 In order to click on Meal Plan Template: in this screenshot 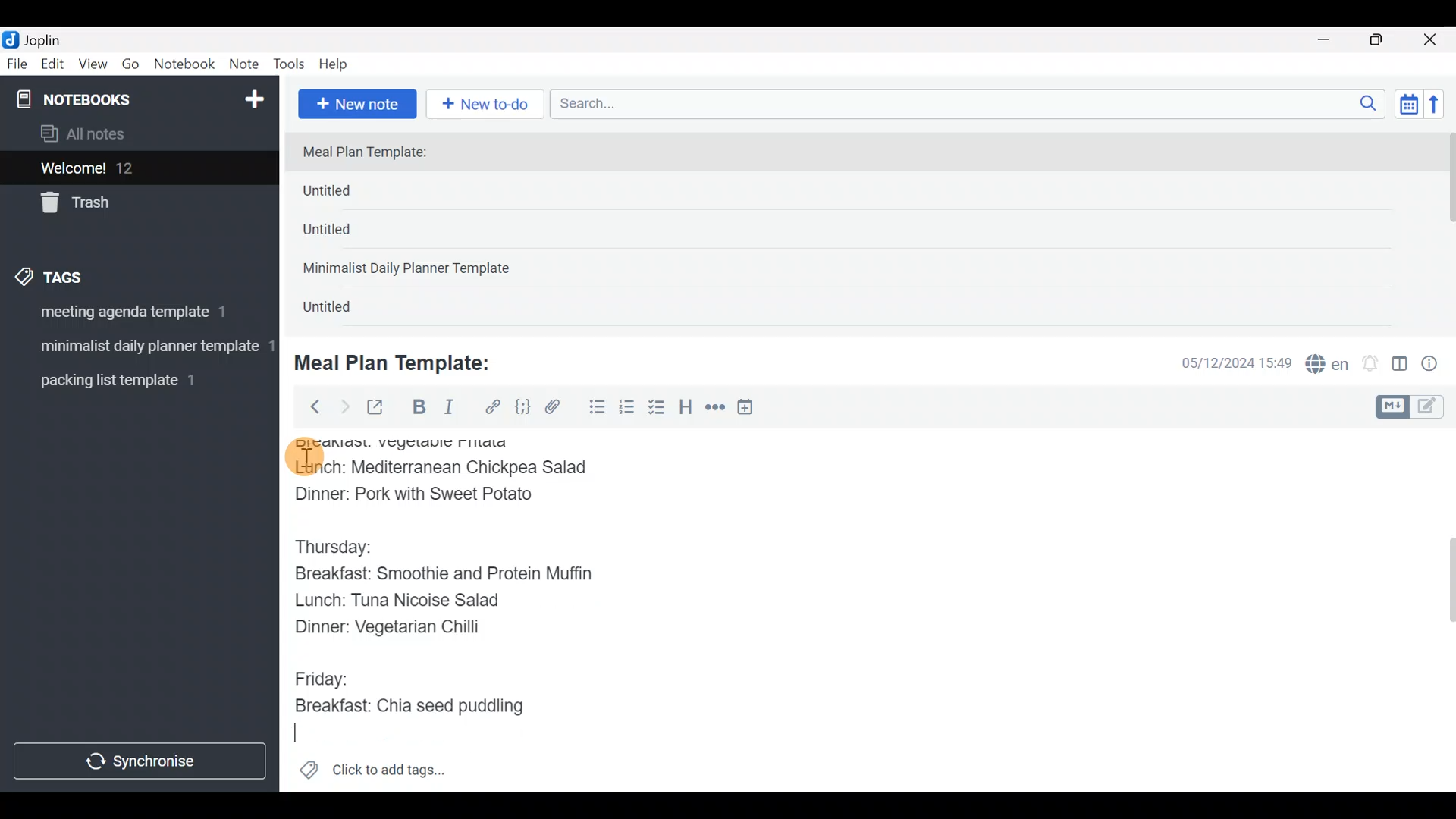, I will do `click(402, 361)`.